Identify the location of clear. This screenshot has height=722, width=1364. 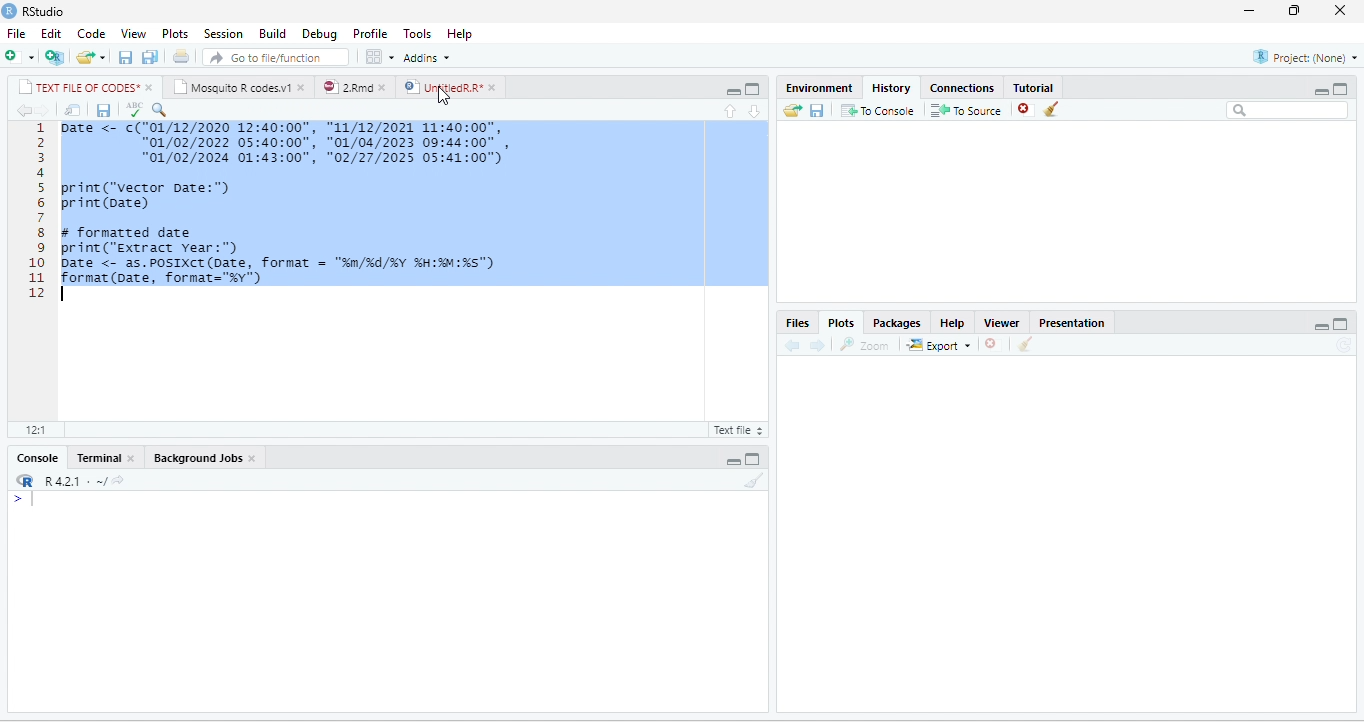
(1025, 343).